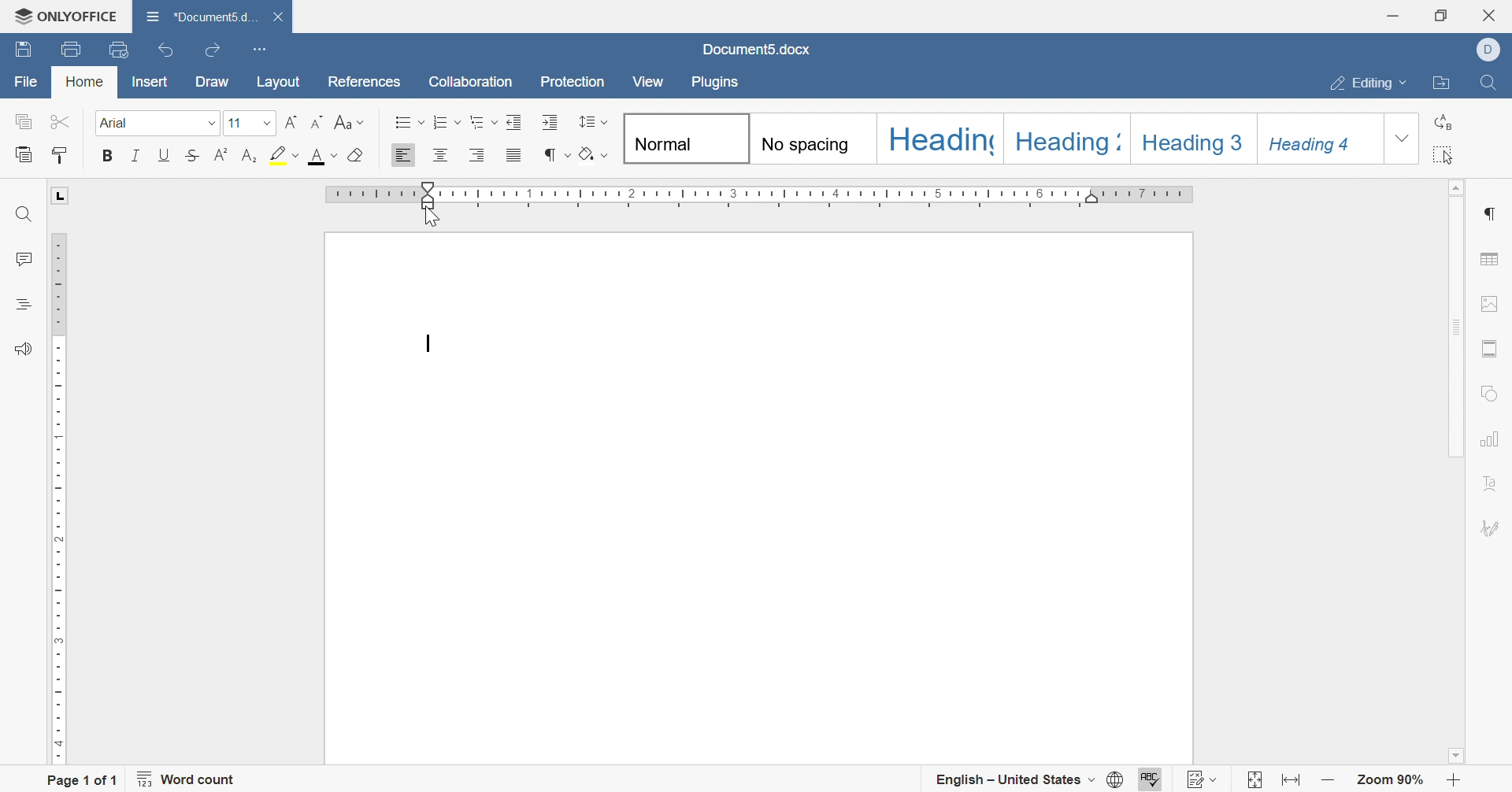 Image resolution: width=1512 pixels, height=792 pixels. Describe the element at coordinates (1497, 483) in the screenshot. I see `text art settings` at that location.